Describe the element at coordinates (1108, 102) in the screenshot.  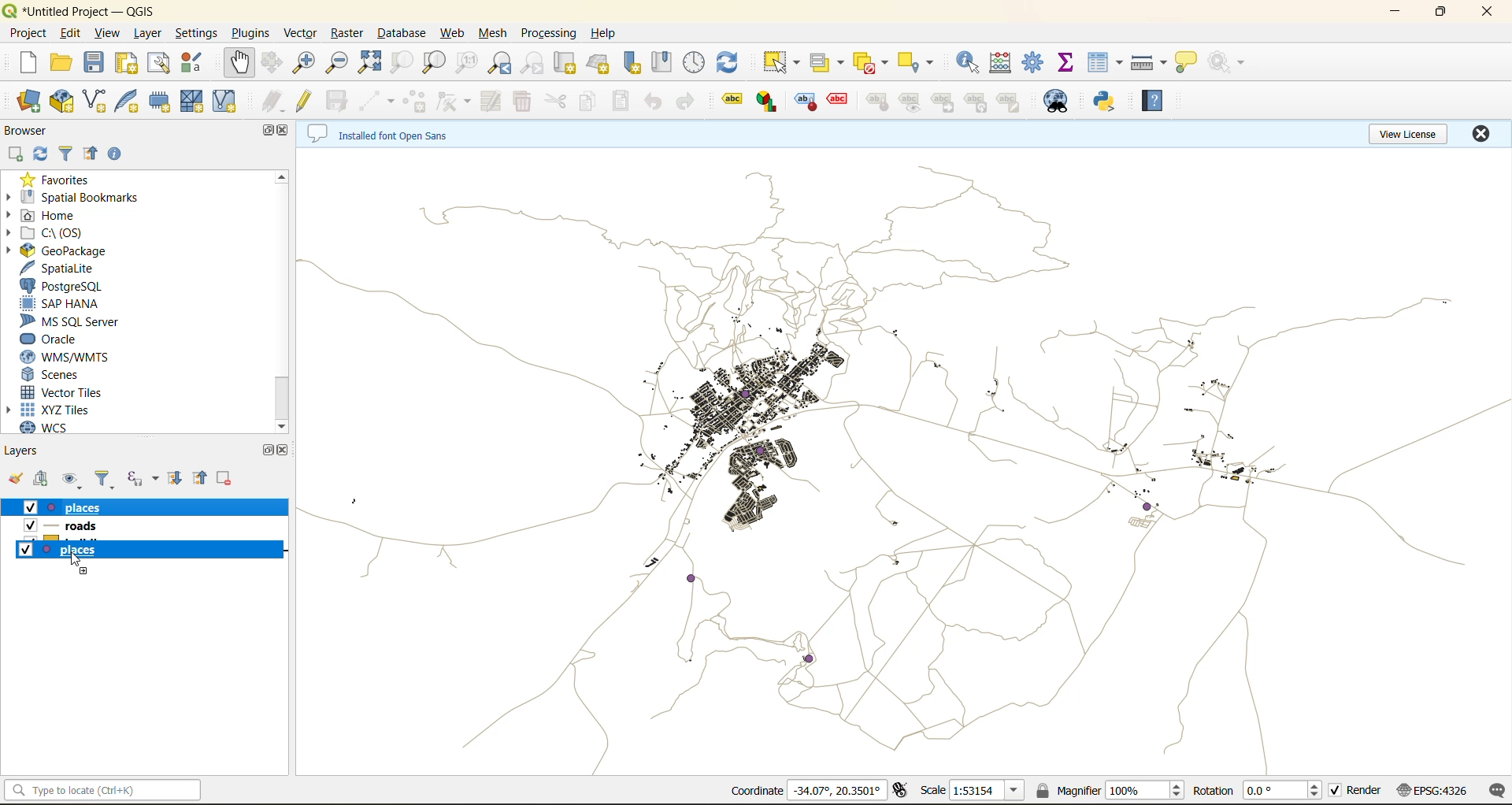
I see `python` at that location.